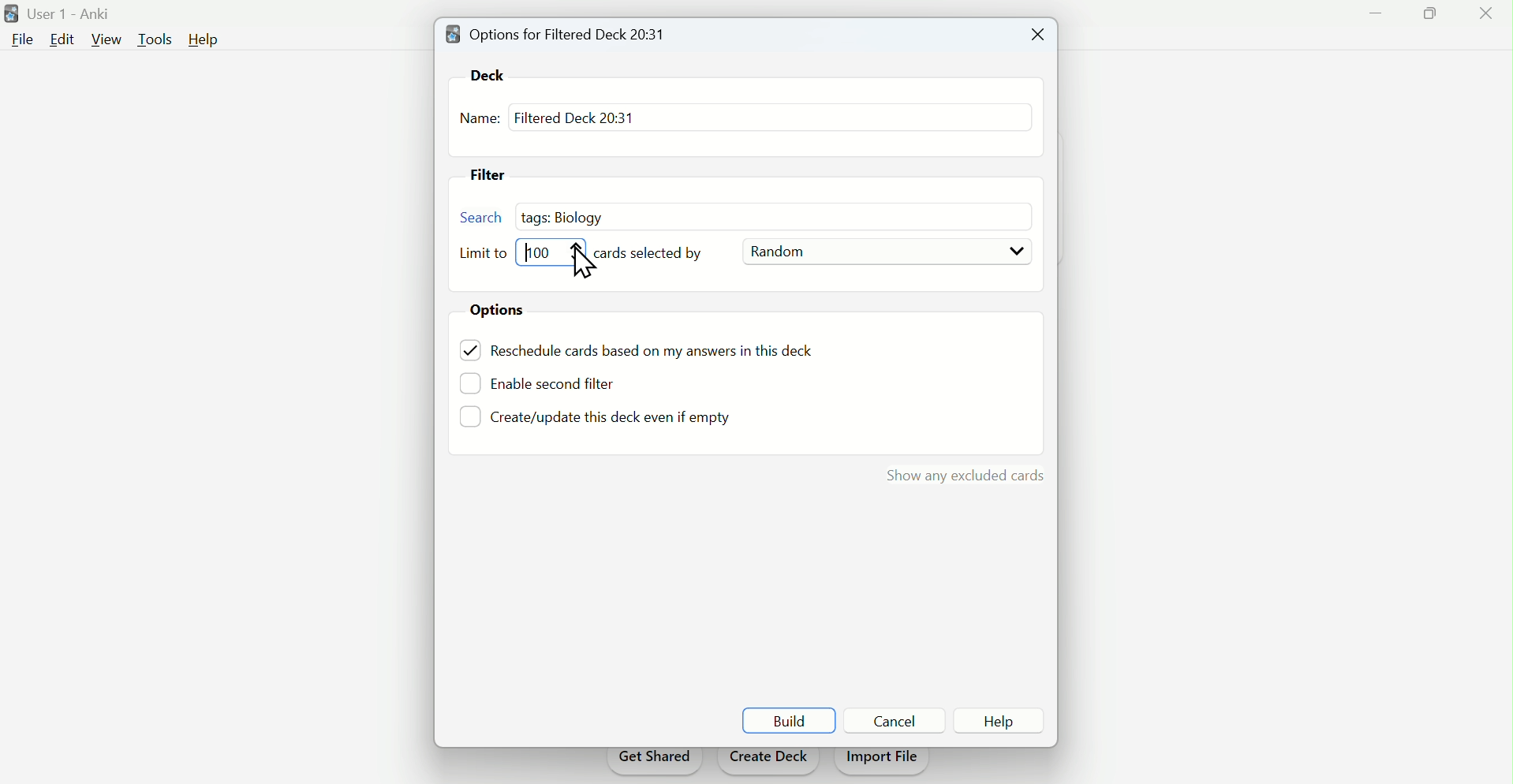  What do you see at coordinates (61, 39) in the screenshot?
I see `Edit` at bounding box center [61, 39].